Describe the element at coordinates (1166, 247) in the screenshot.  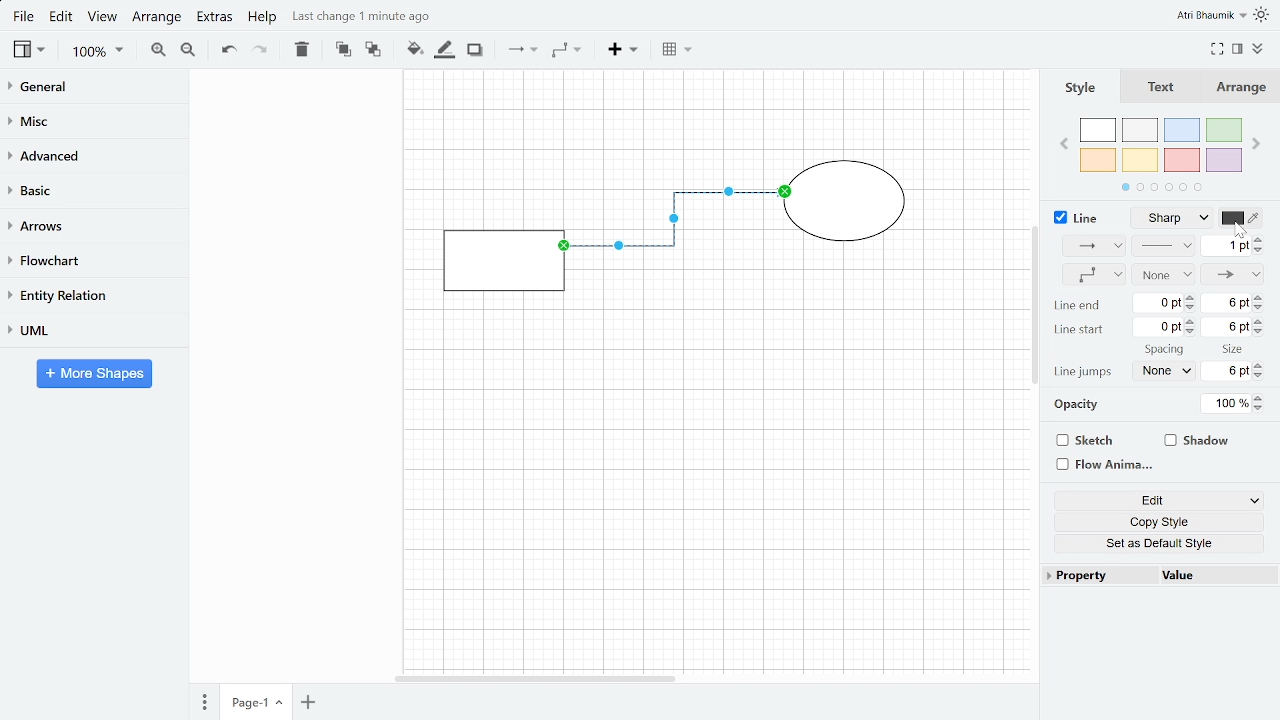
I see `Pattern` at that location.